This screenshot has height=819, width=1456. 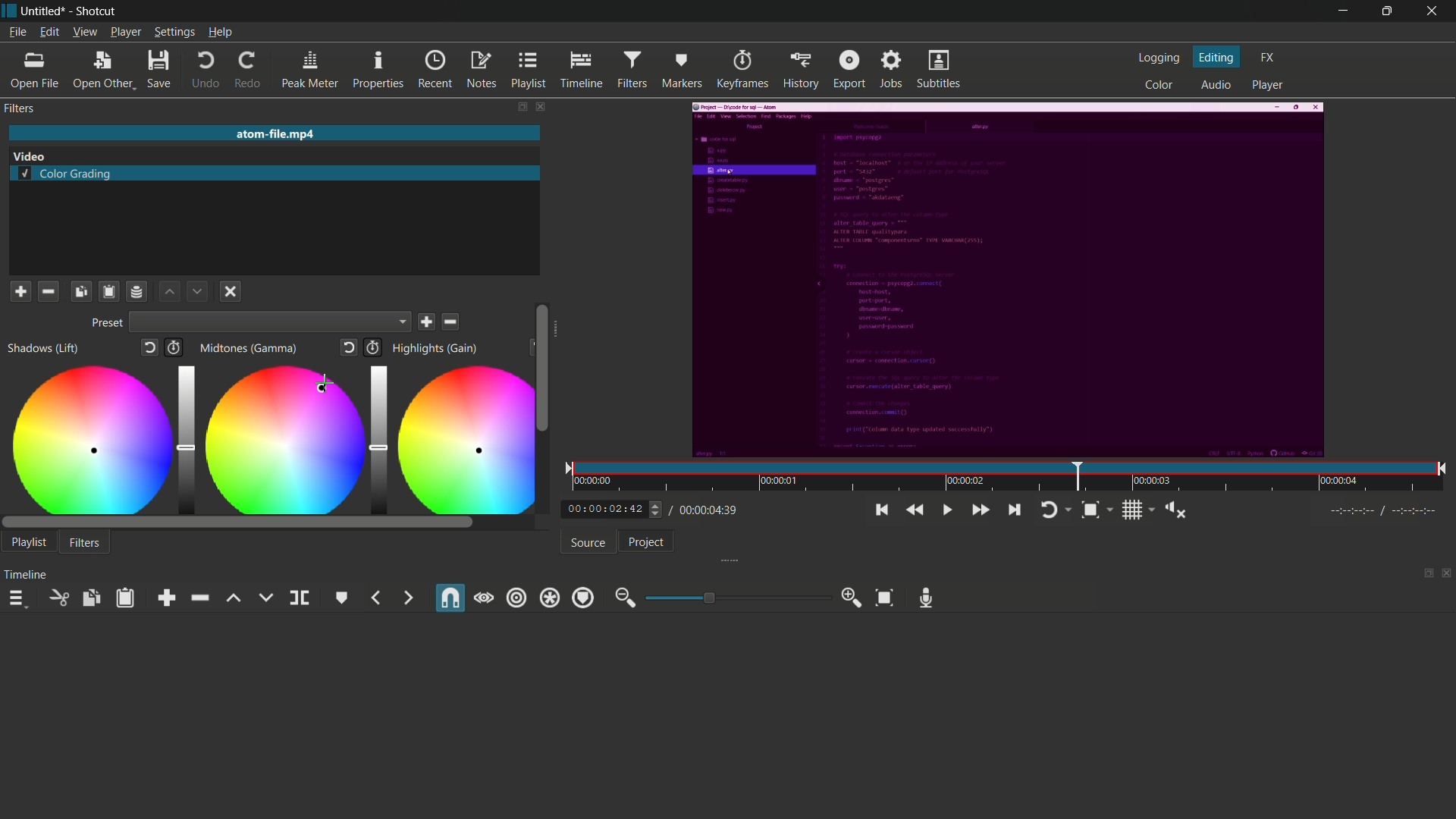 What do you see at coordinates (19, 600) in the screenshot?
I see `timeline menu` at bounding box center [19, 600].